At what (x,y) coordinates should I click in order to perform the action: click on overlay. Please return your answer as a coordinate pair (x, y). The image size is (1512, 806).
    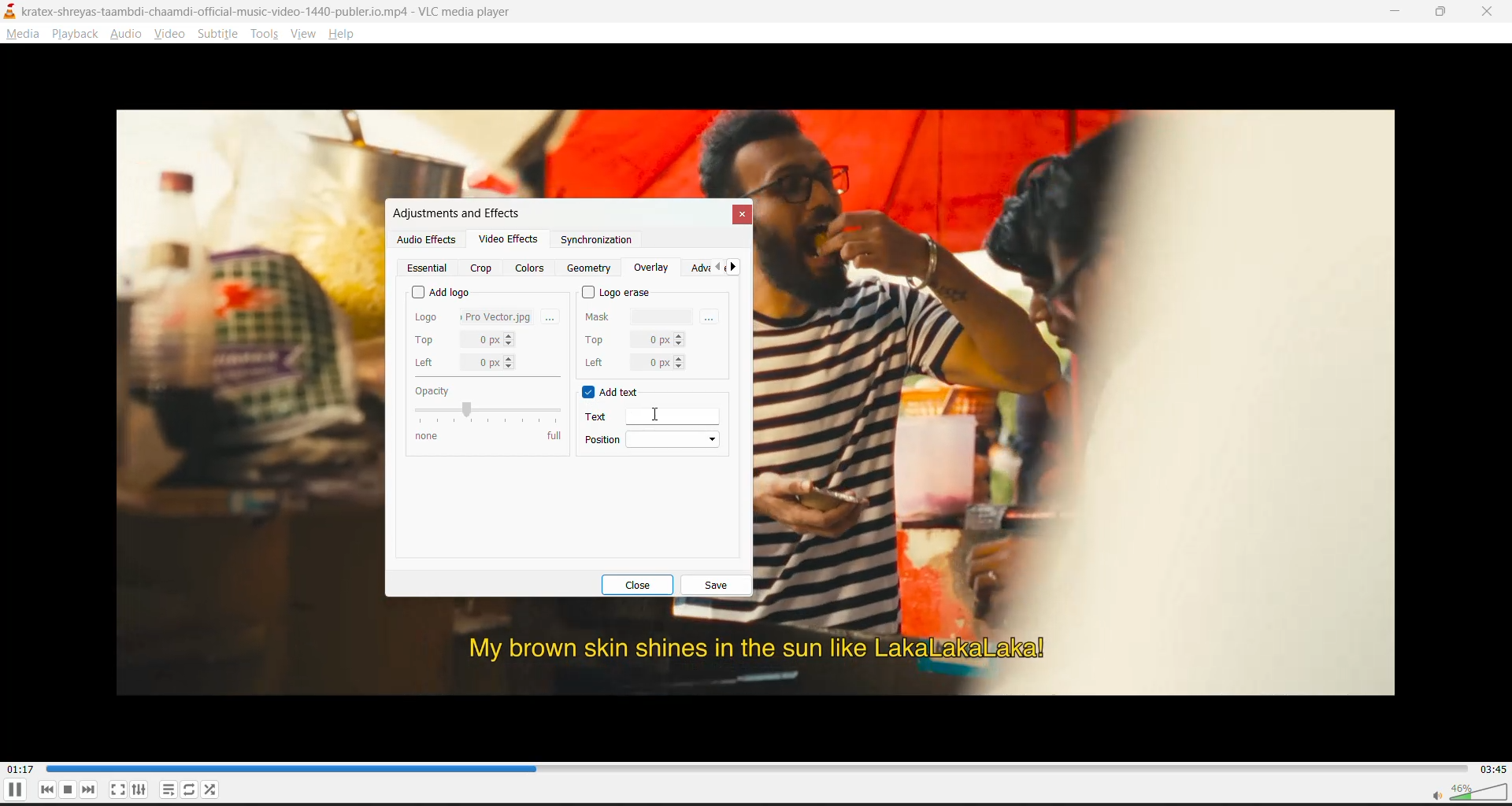
    Looking at the image, I should click on (651, 268).